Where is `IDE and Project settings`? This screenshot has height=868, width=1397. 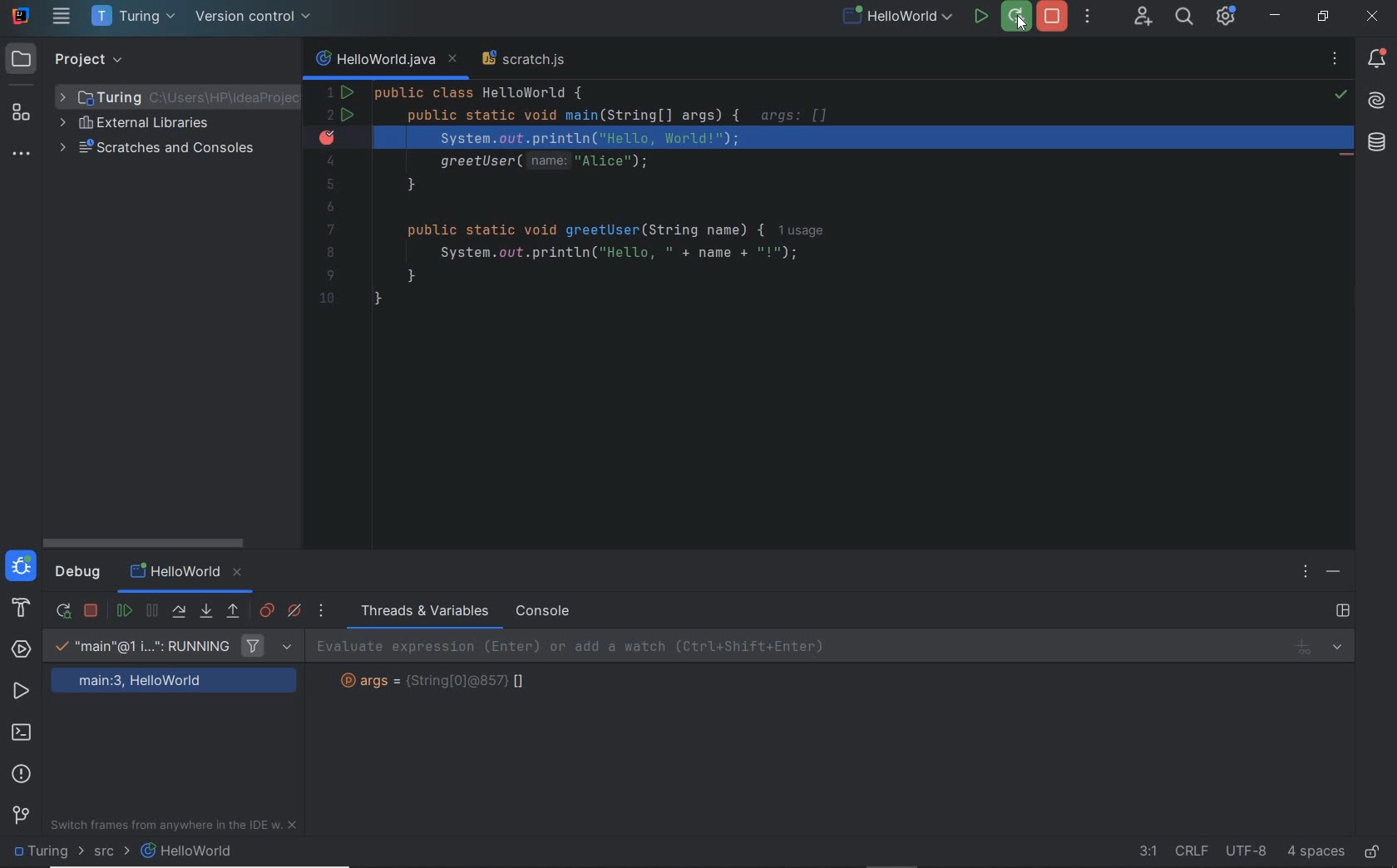 IDE and Project settings is located at coordinates (1226, 17).